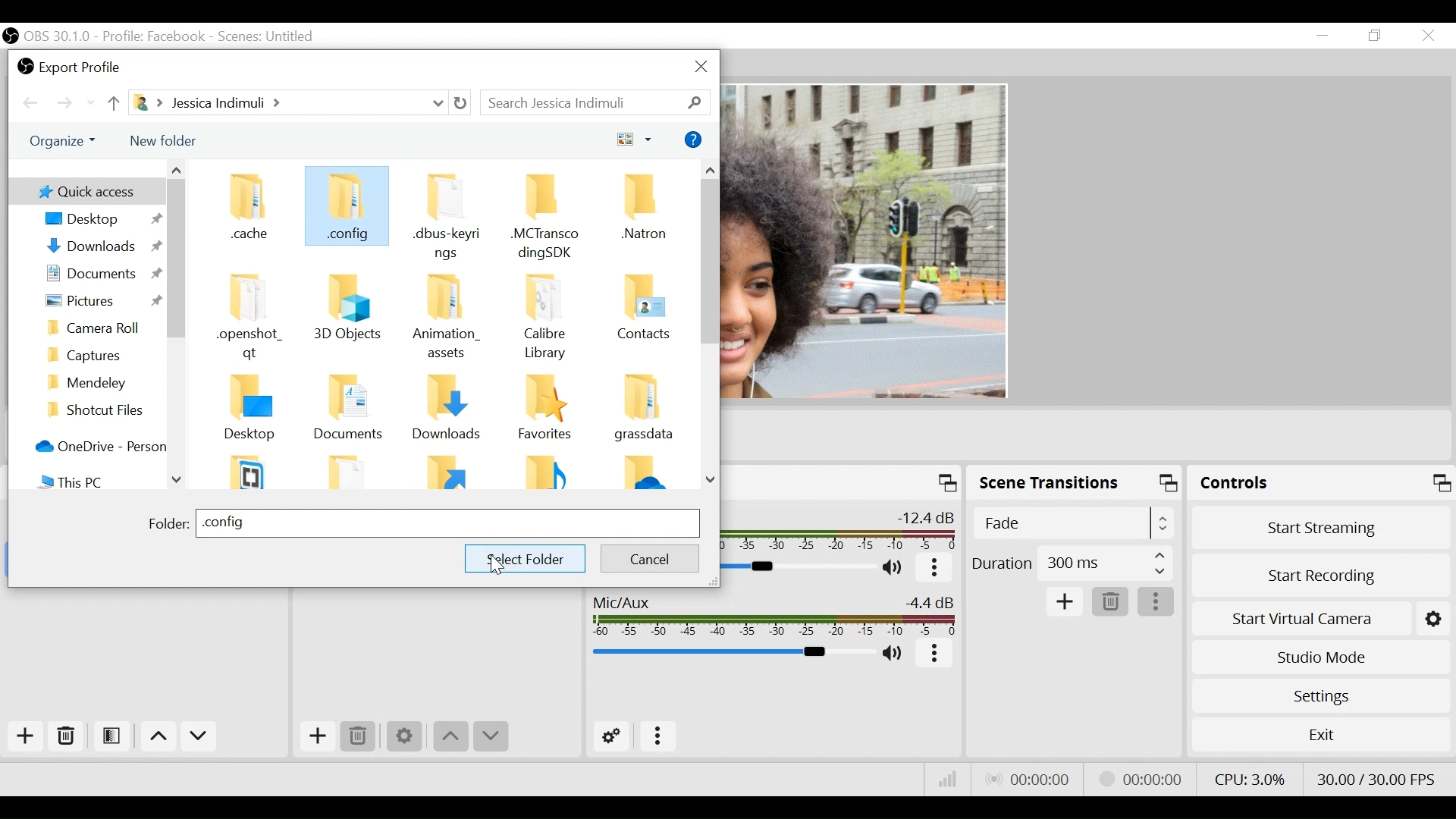 This screenshot has height=819, width=1456. Describe the element at coordinates (1322, 574) in the screenshot. I see `Start Recording` at that location.